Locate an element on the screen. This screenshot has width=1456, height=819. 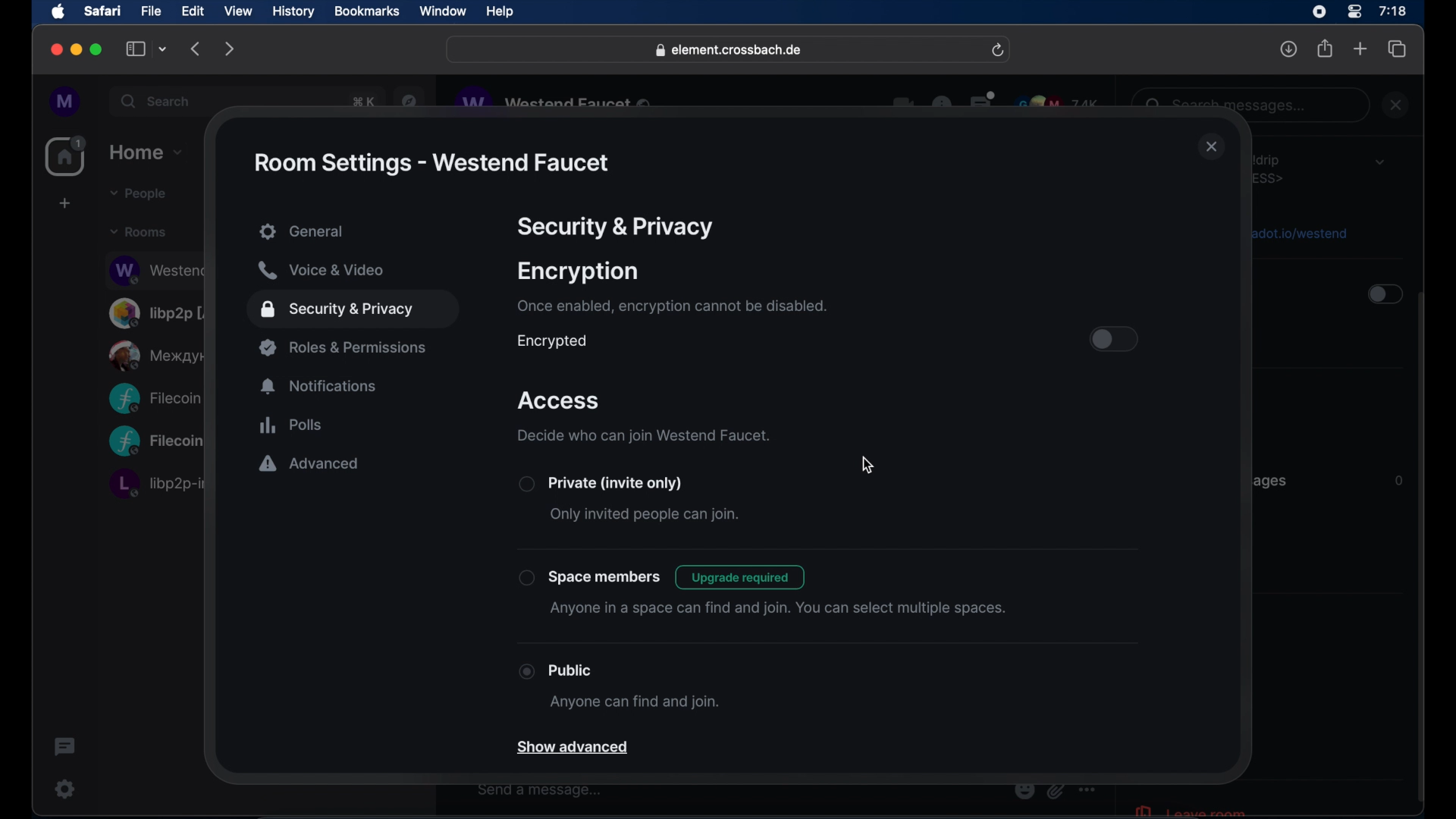
control center is located at coordinates (1353, 12).